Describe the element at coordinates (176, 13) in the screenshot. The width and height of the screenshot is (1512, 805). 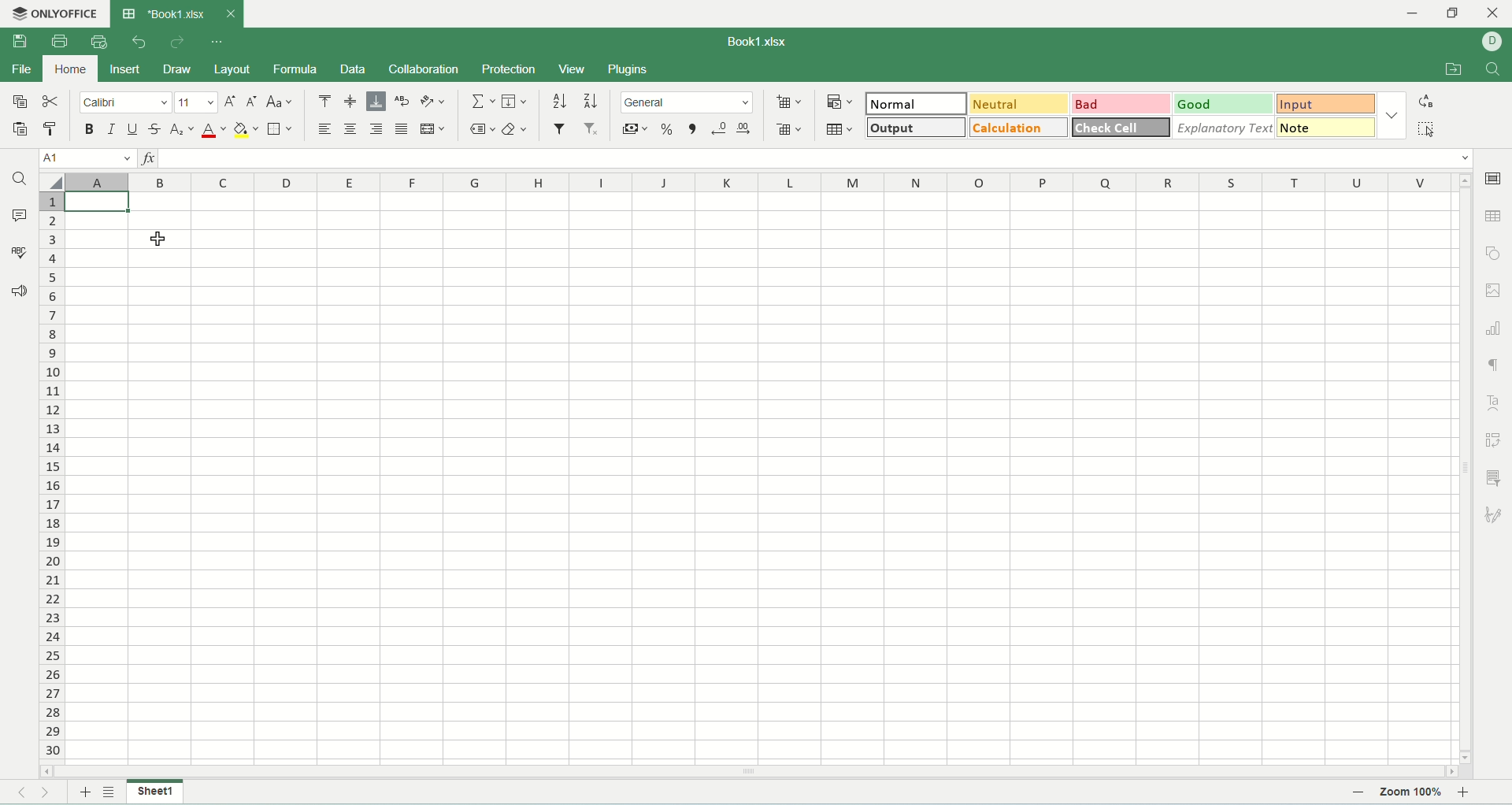
I see `*Book1.xlsx` at that location.